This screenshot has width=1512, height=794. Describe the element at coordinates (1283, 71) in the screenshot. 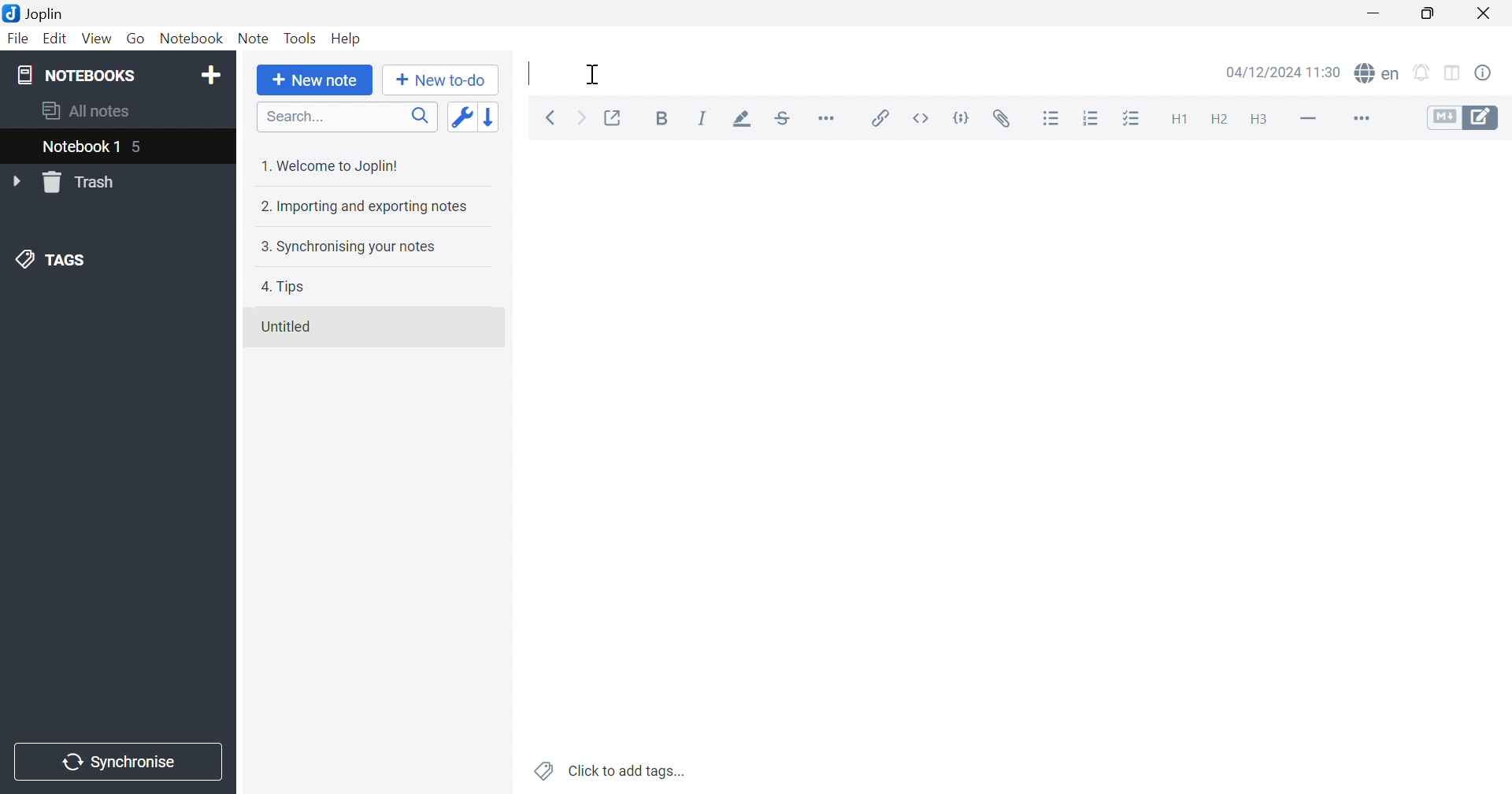

I see `04/12/2024 11:30` at that location.